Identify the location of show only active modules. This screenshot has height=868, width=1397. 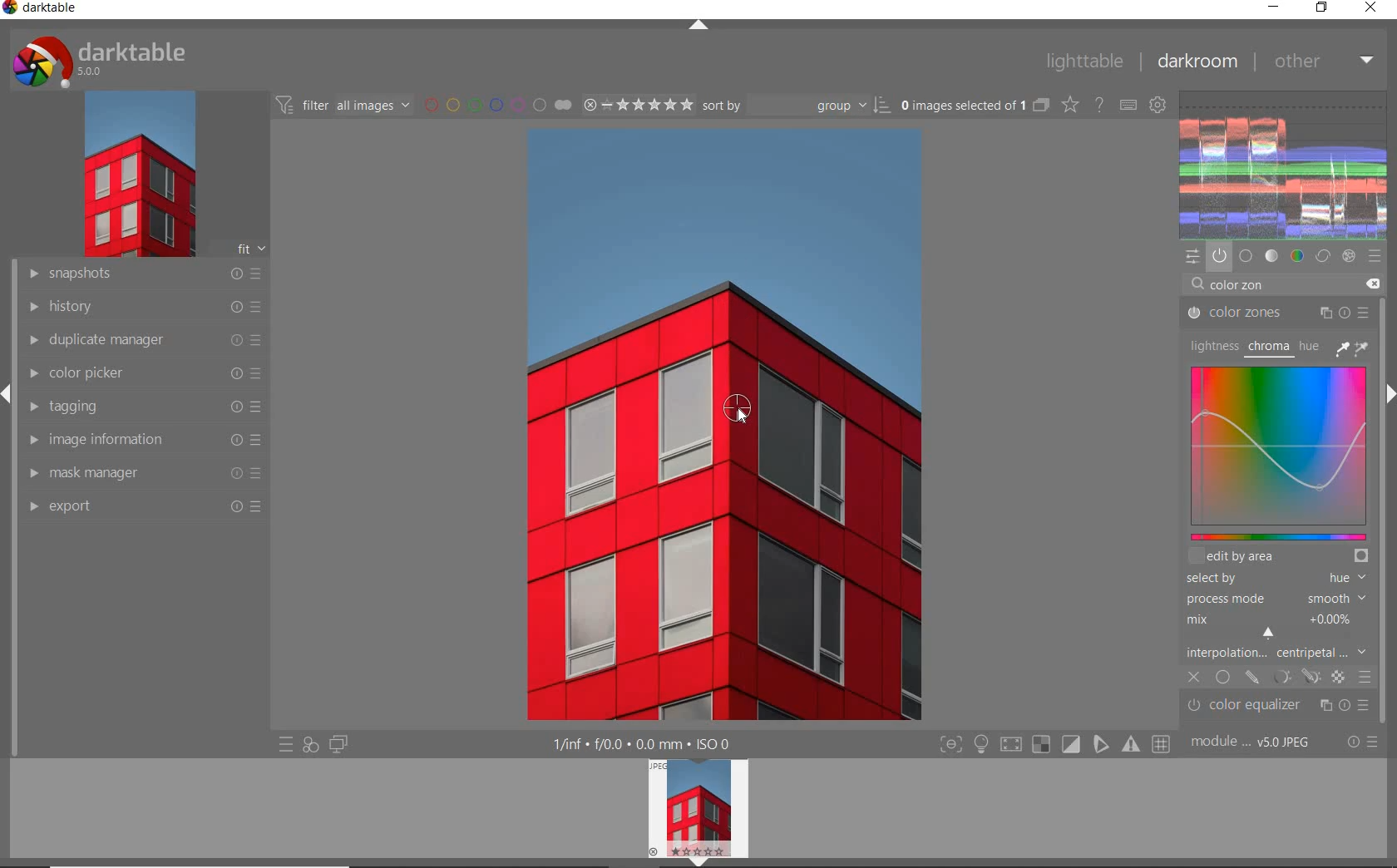
(1219, 255).